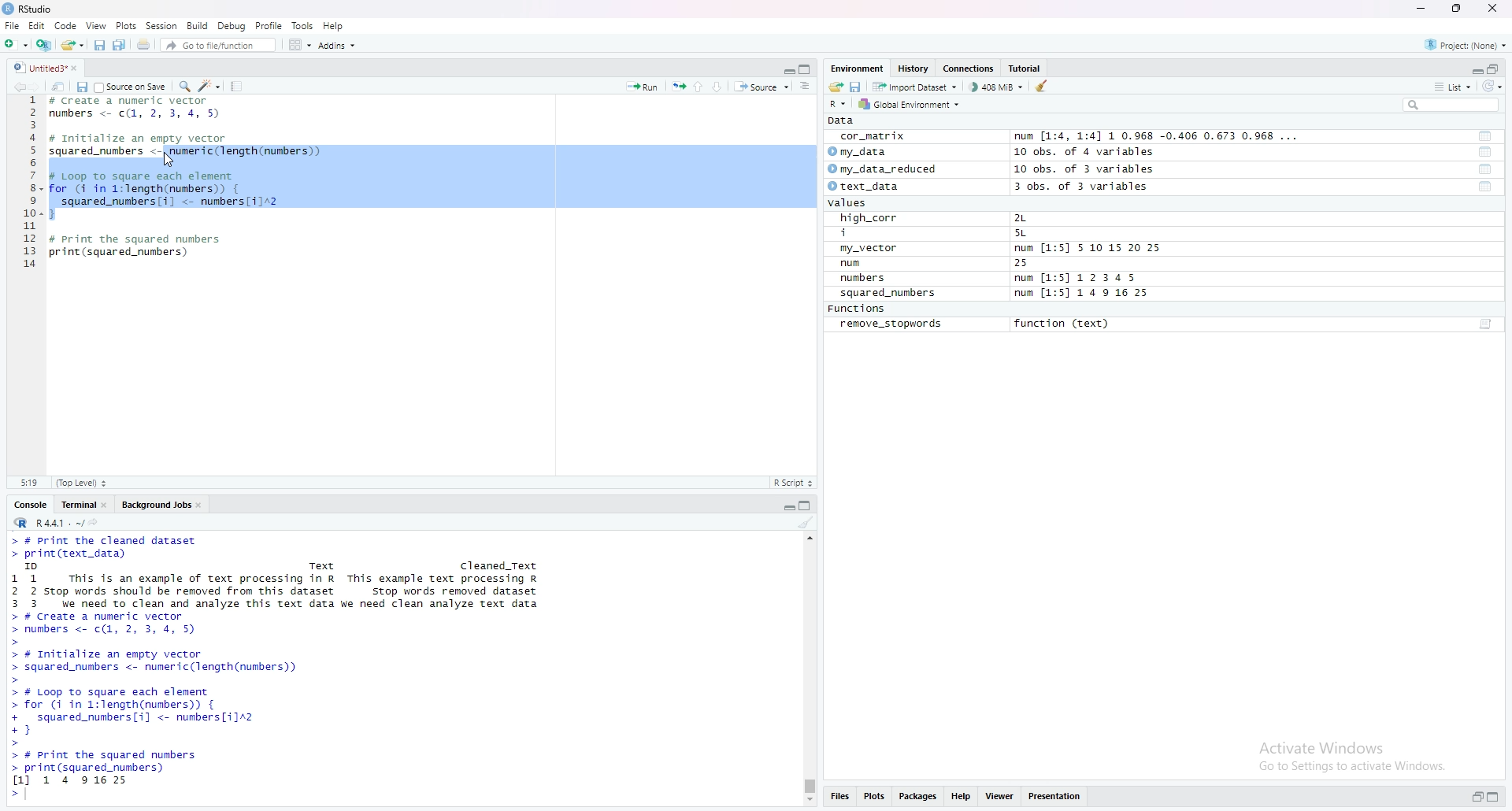 This screenshot has height=811, width=1512. I want to click on minimize, so click(1420, 9).